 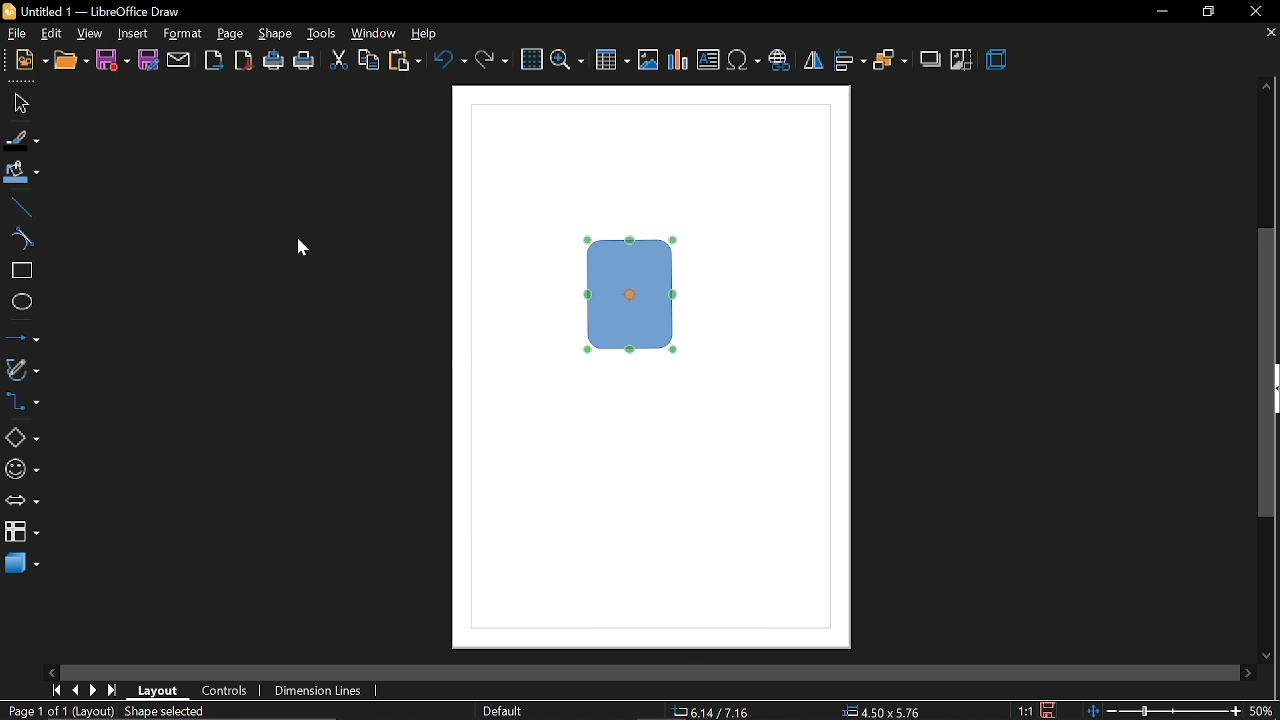 What do you see at coordinates (93, 11) in the screenshot?
I see `current window` at bounding box center [93, 11].